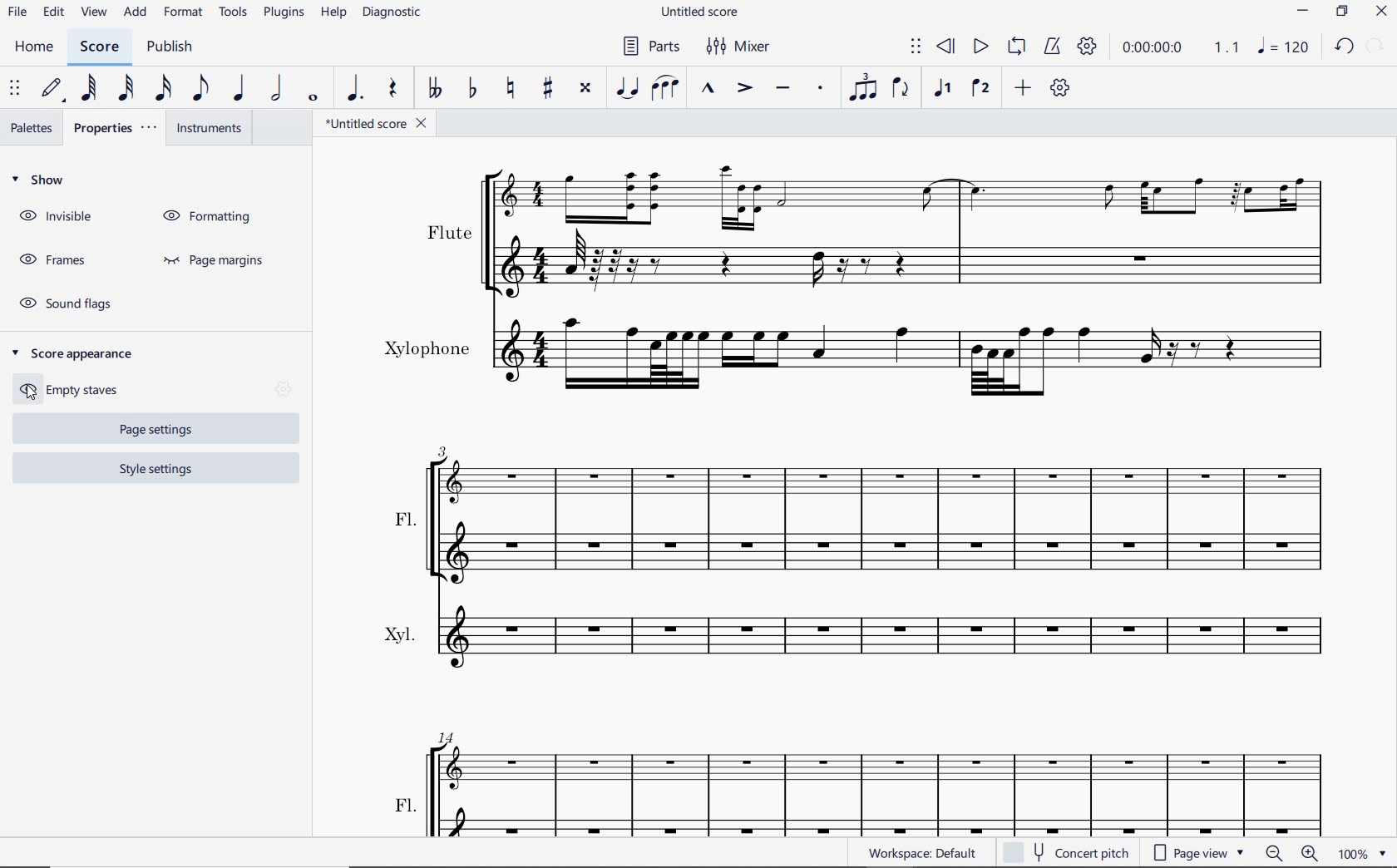 This screenshot has width=1397, height=868. I want to click on DIAGNOSTIC, so click(390, 13).